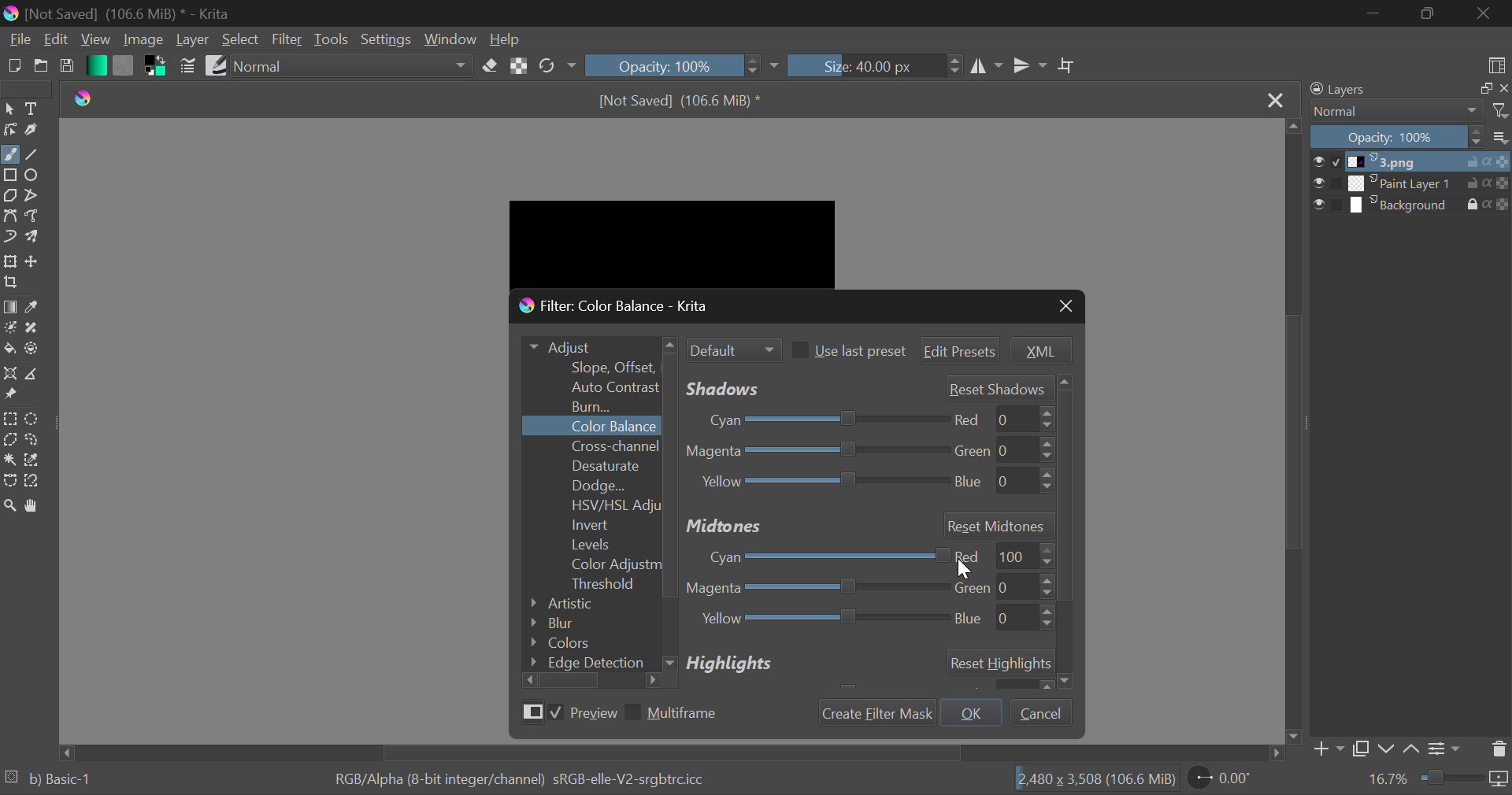  Describe the element at coordinates (505, 39) in the screenshot. I see `Help` at that location.